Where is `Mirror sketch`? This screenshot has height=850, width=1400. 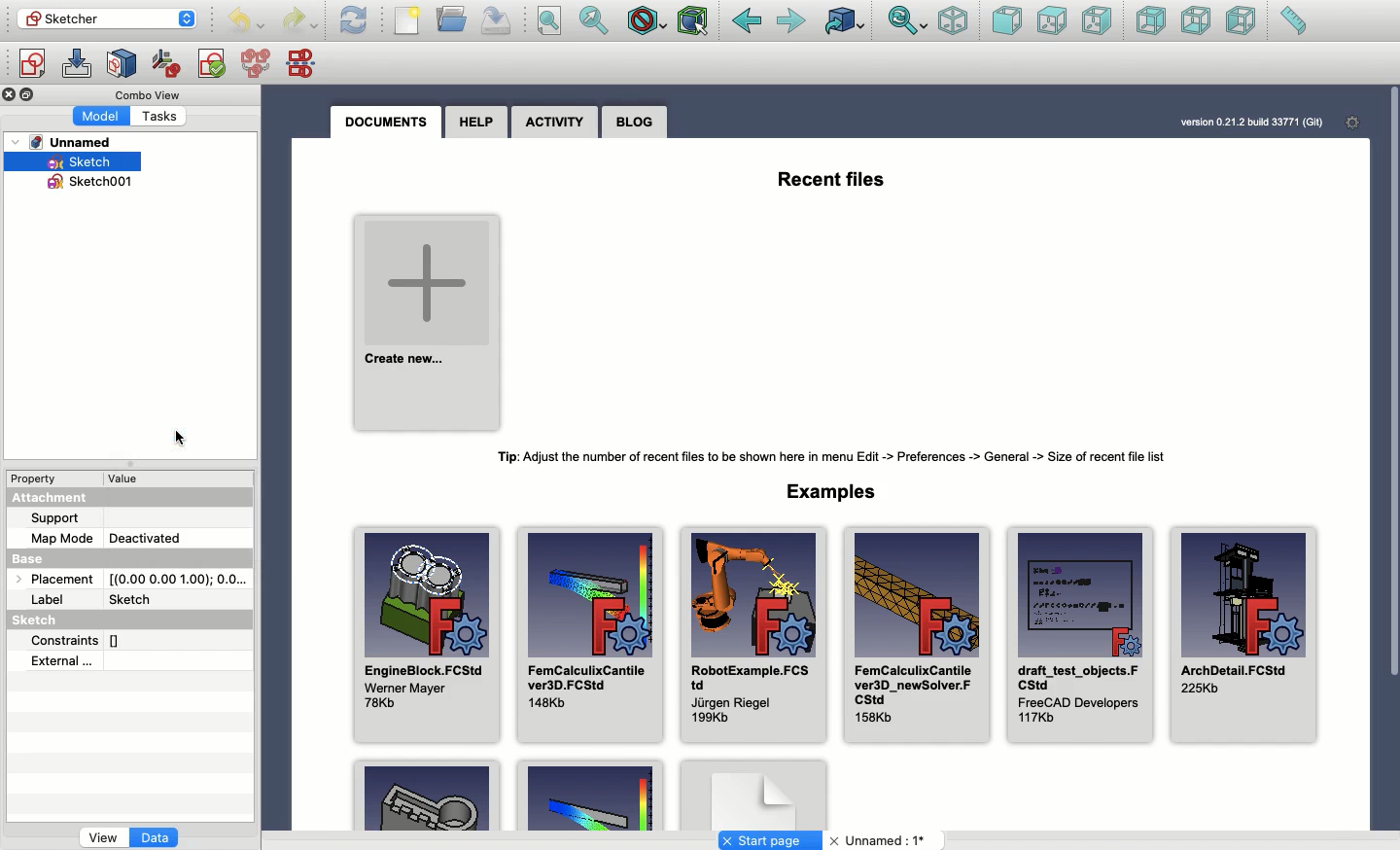 Mirror sketch is located at coordinates (305, 62).